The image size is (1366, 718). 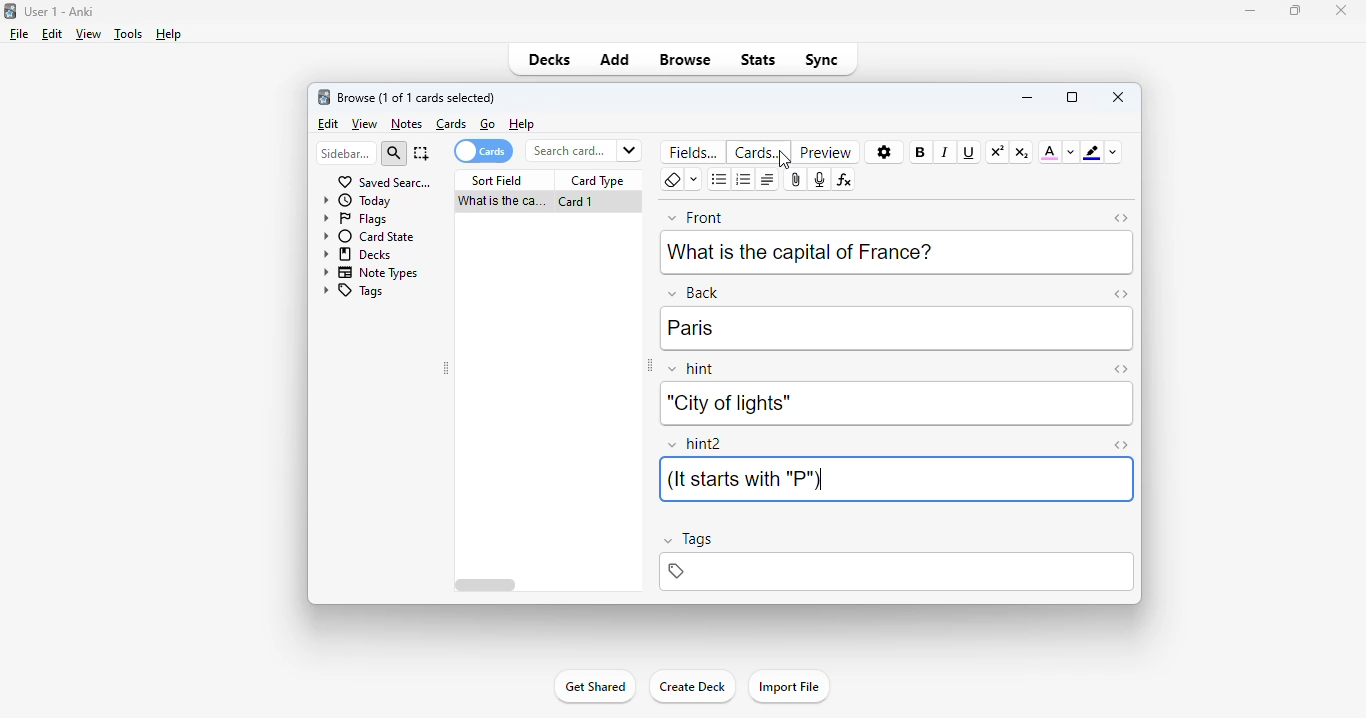 I want to click on file, so click(x=19, y=34).